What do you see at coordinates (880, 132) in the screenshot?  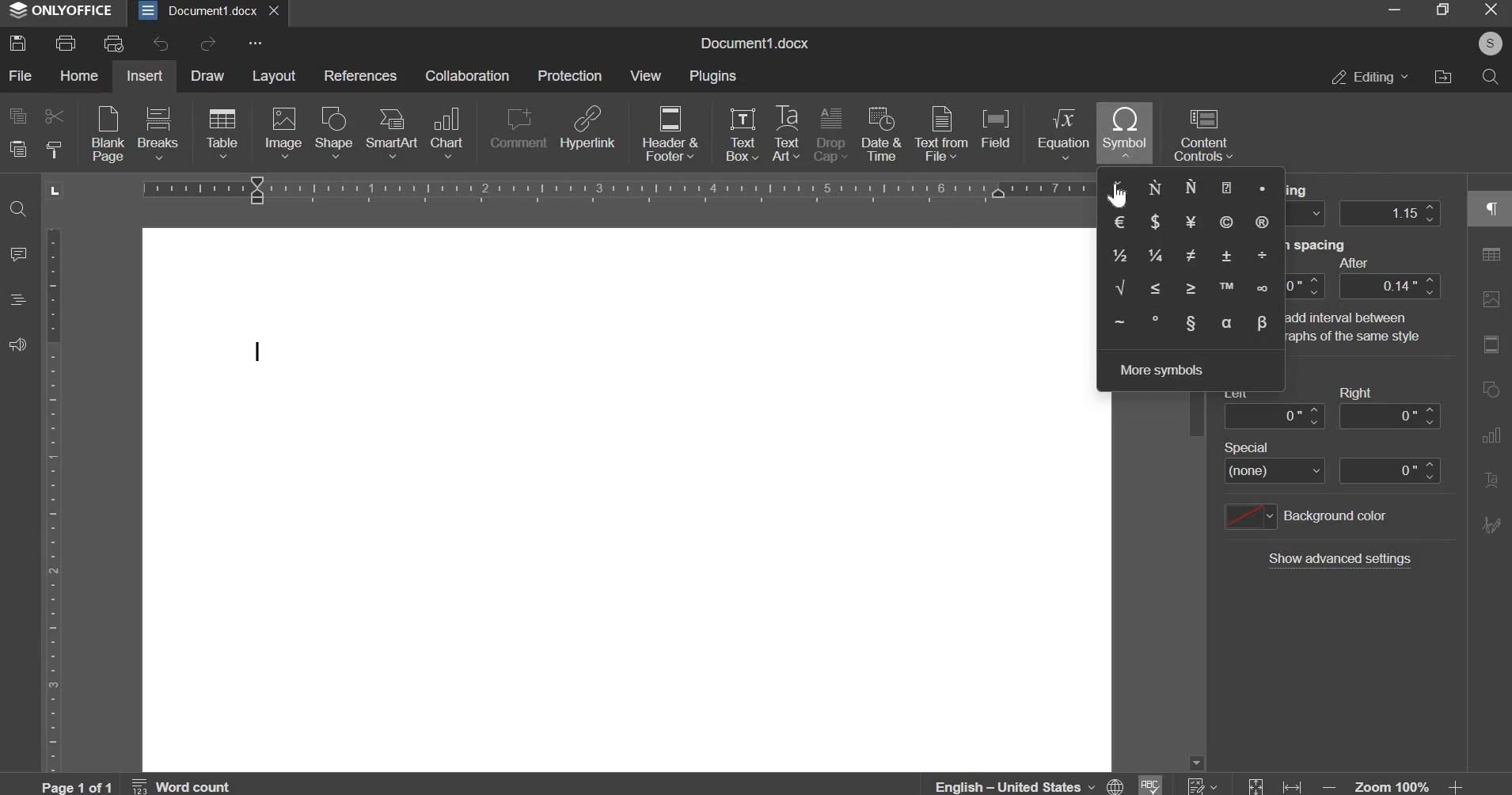 I see `date & time` at bounding box center [880, 132].